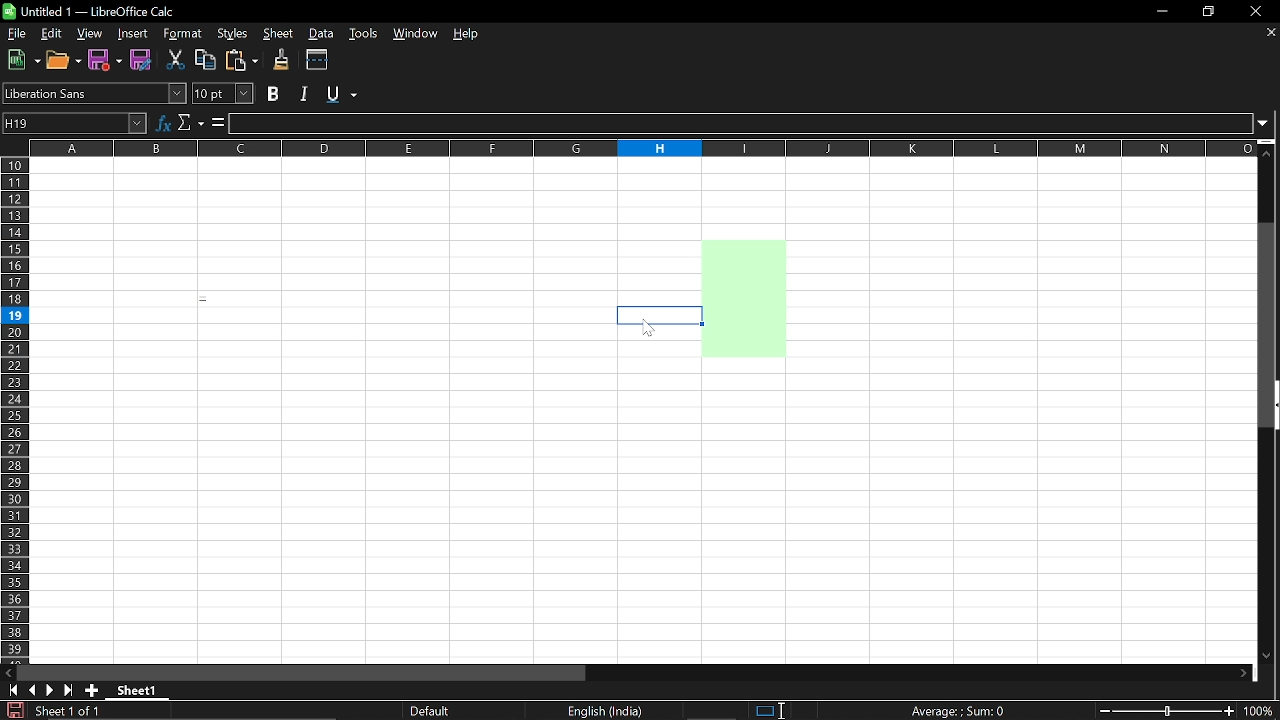 This screenshot has width=1280, height=720. Describe the element at coordinates (105, 60) in the screenshot. I see `Save as` at that location.